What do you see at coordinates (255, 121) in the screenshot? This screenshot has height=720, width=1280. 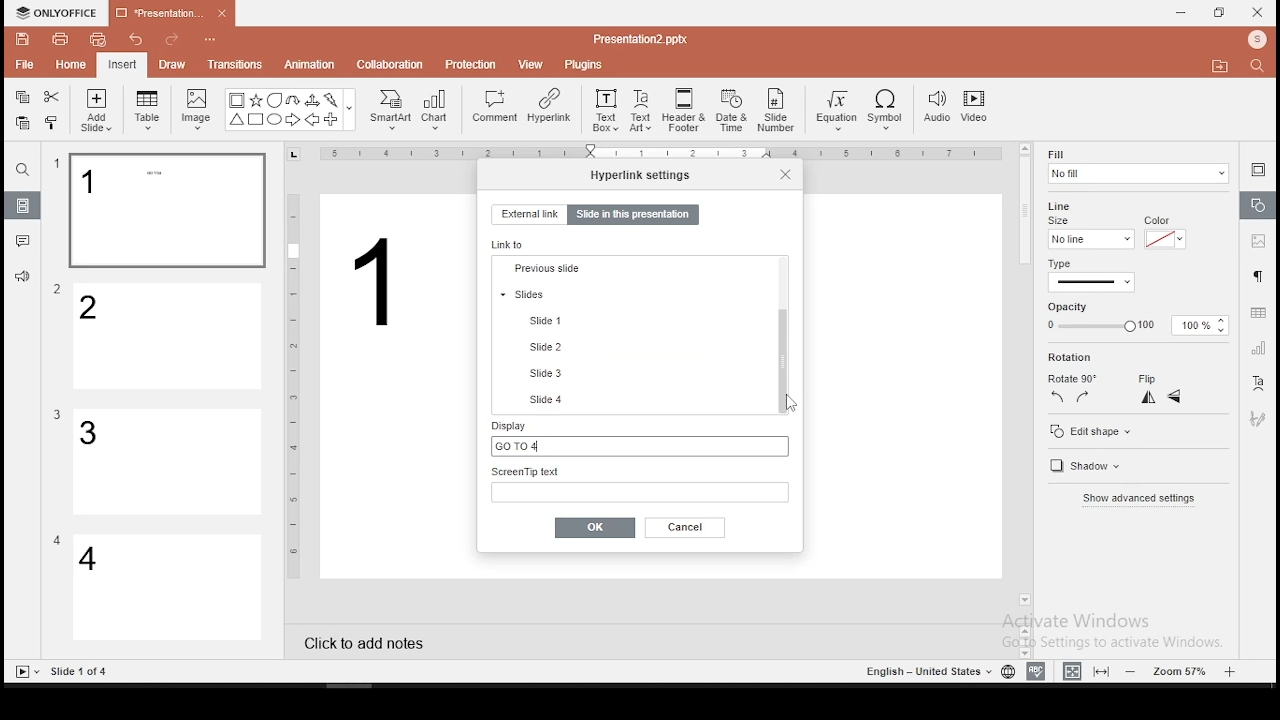 I see `Square` at bounding box center [255, 121].